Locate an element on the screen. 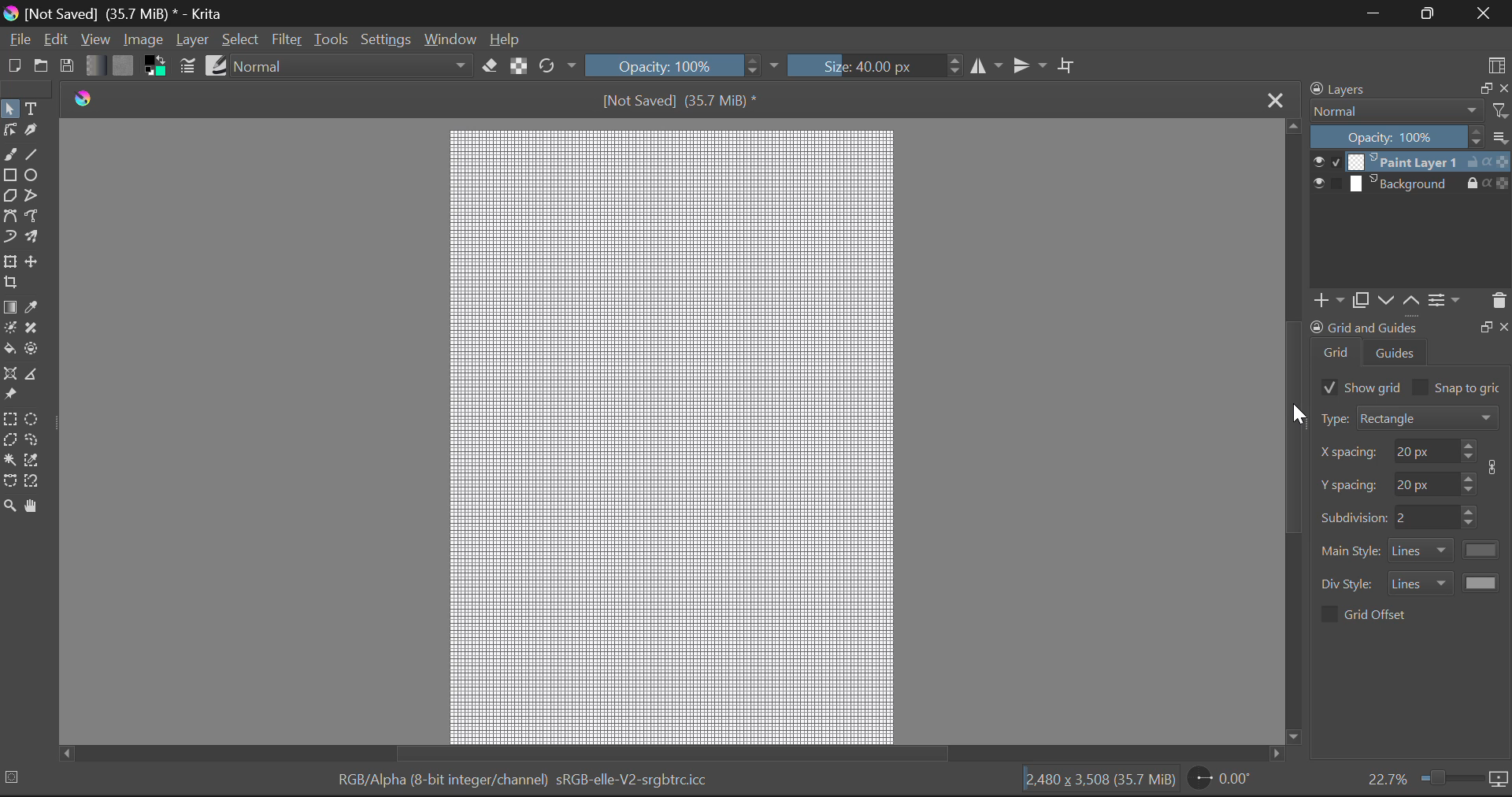  spacing x is located at coordinates (1424, 450).